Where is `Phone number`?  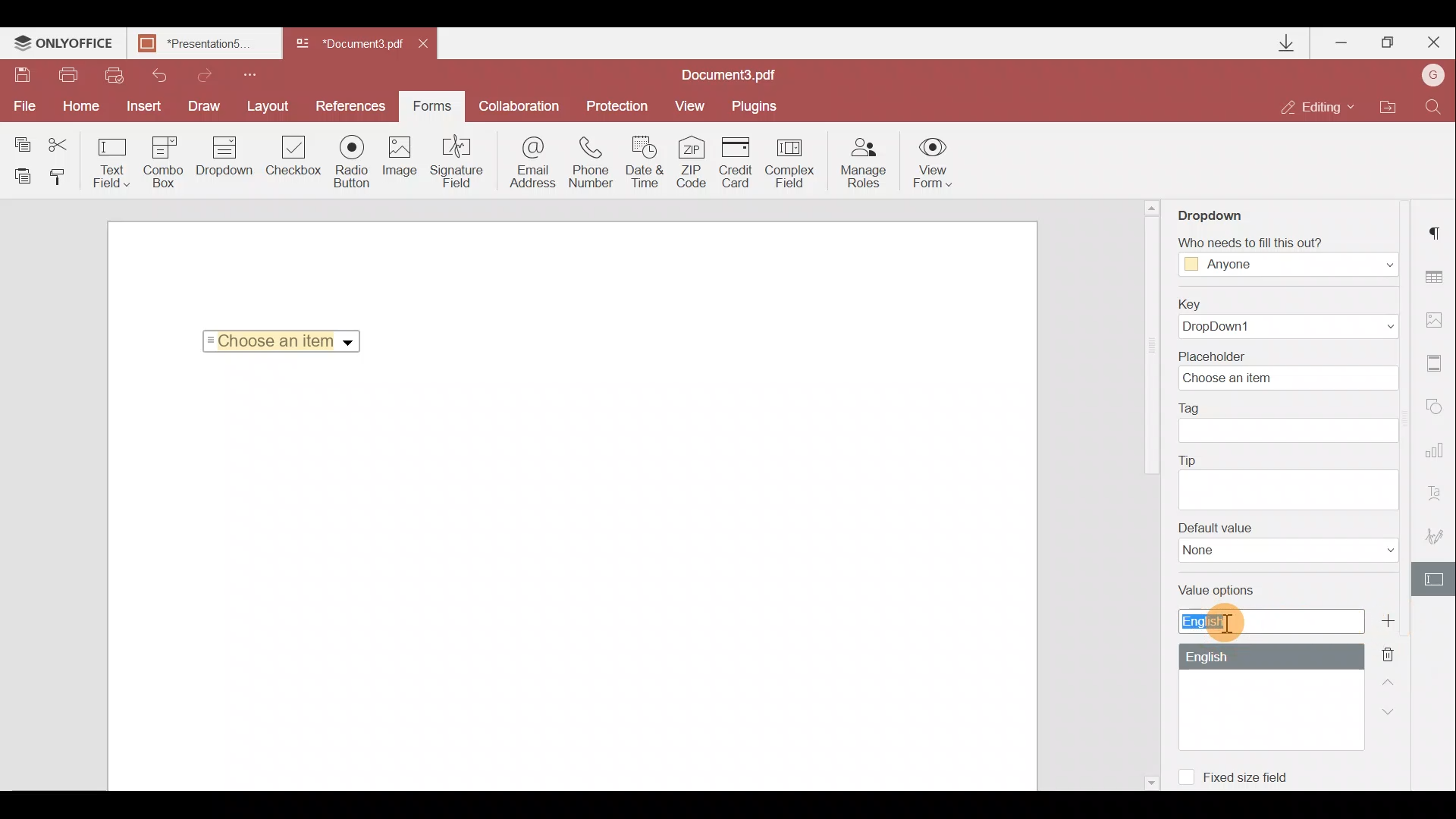 Phone number is located at coordinates (593, 163).